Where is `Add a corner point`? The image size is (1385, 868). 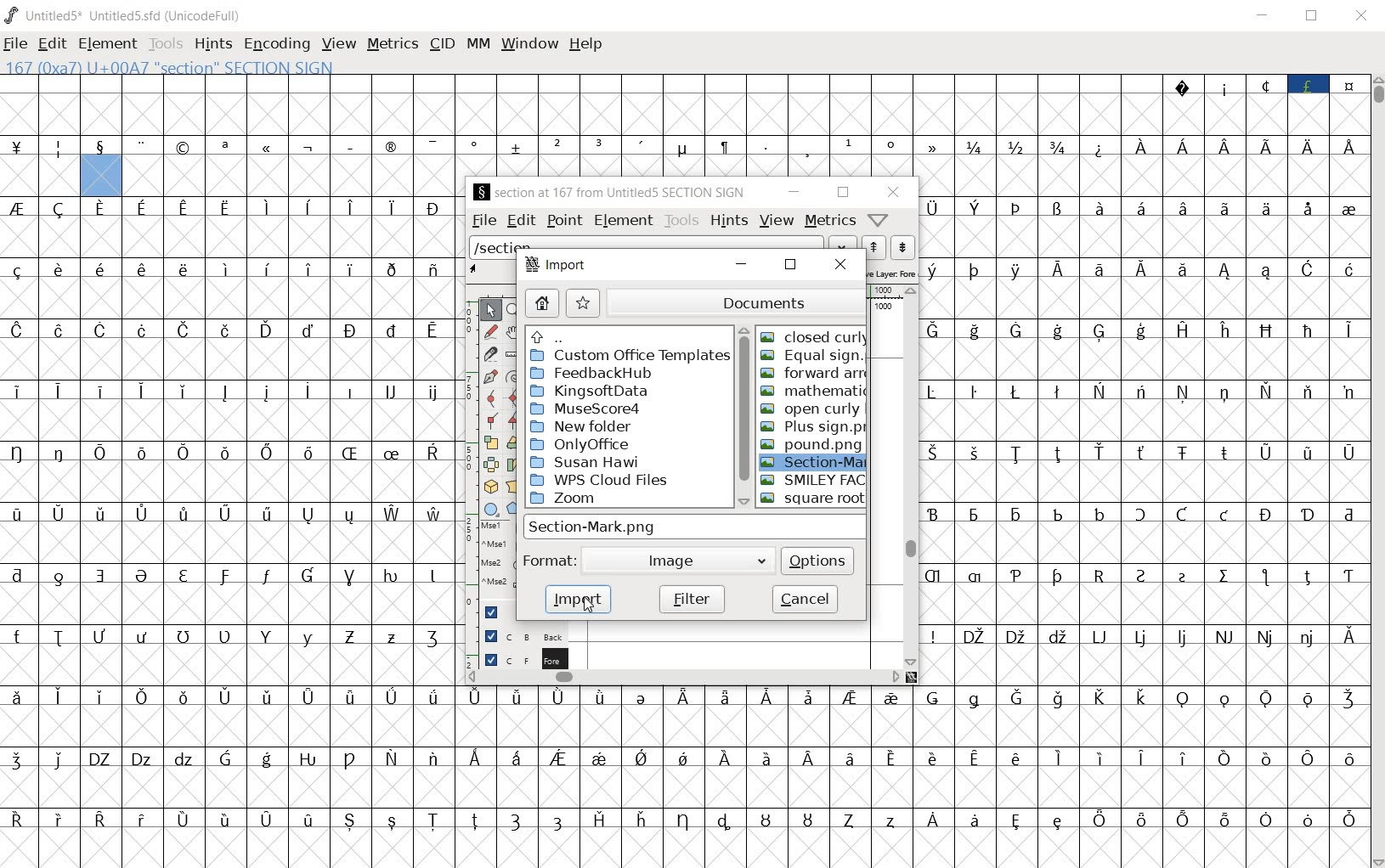 Add a corner point is located at coordinates (512, 420).